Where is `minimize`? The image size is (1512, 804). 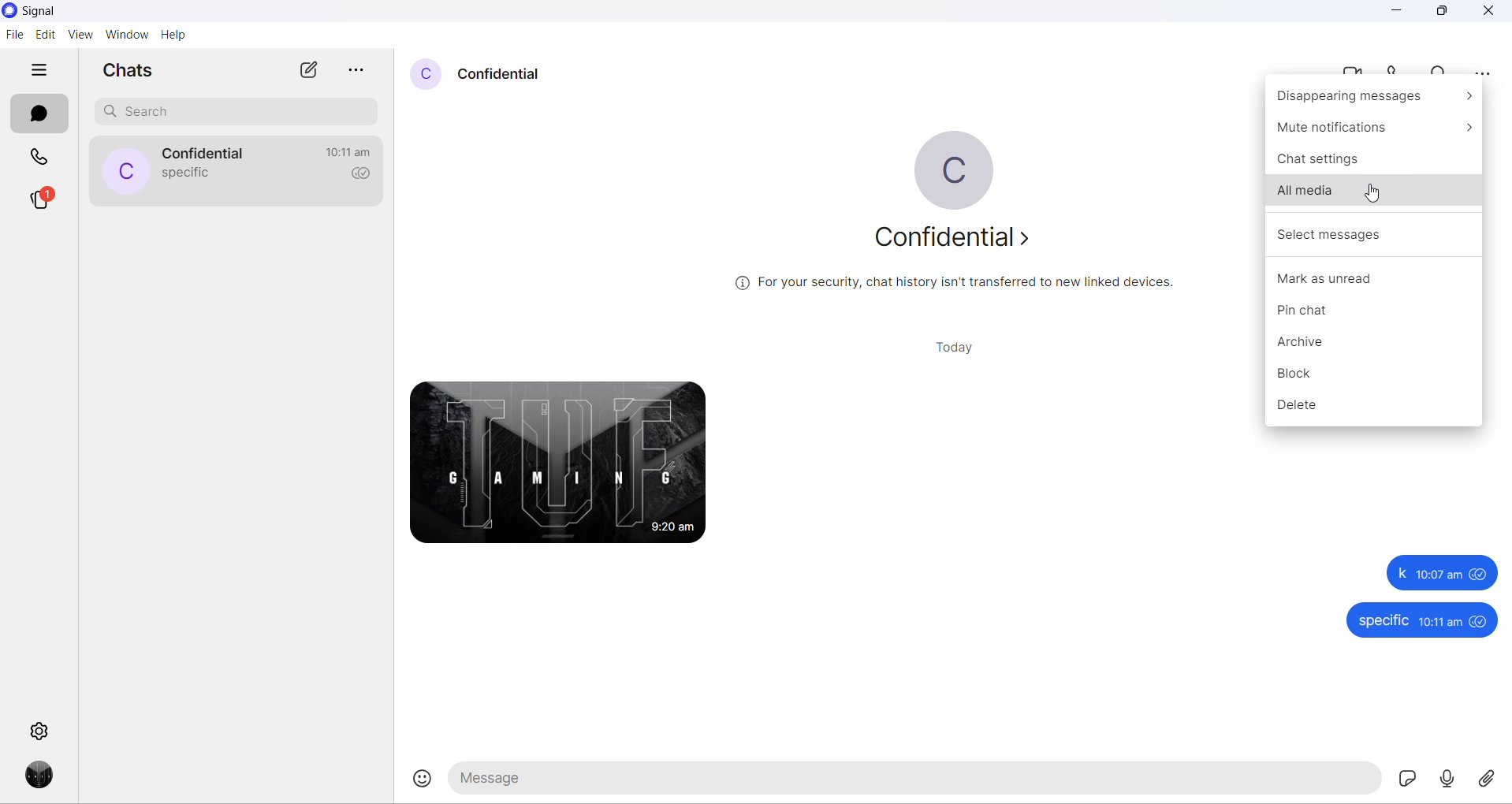 minimize is located at coordinates (1397, 13).